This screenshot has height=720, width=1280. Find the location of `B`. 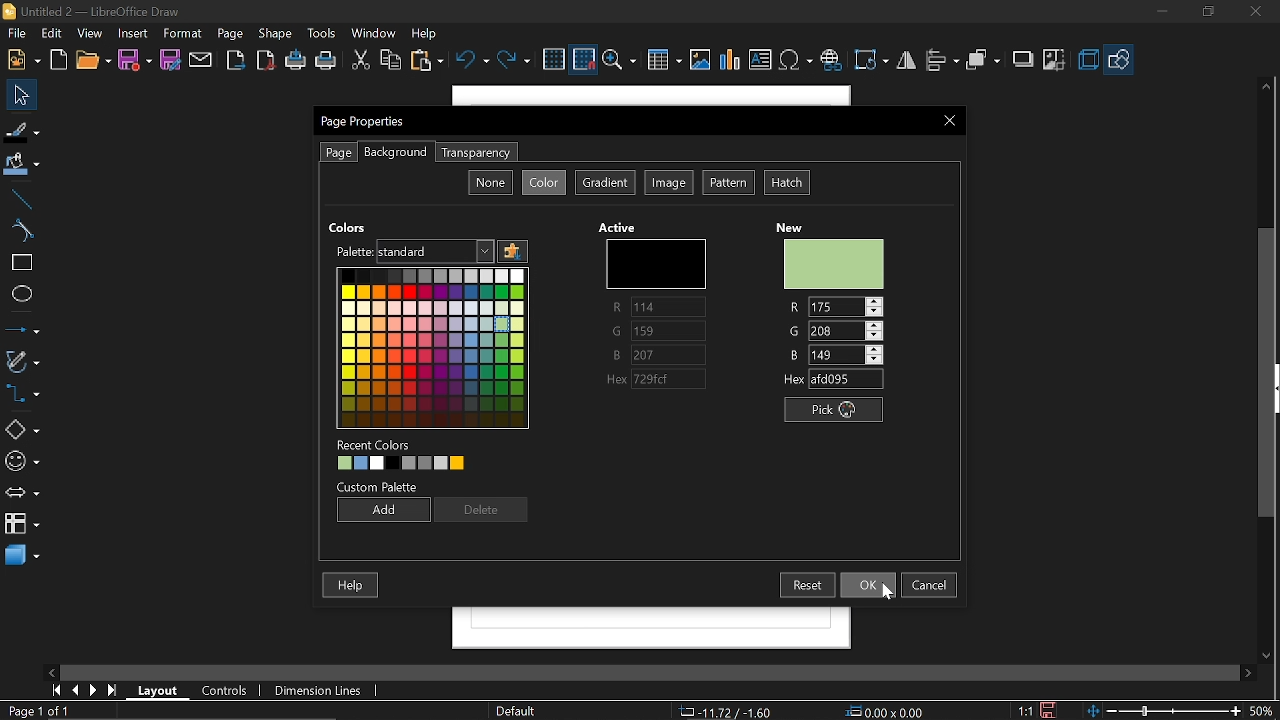

B is located at coordinates (658, 355).